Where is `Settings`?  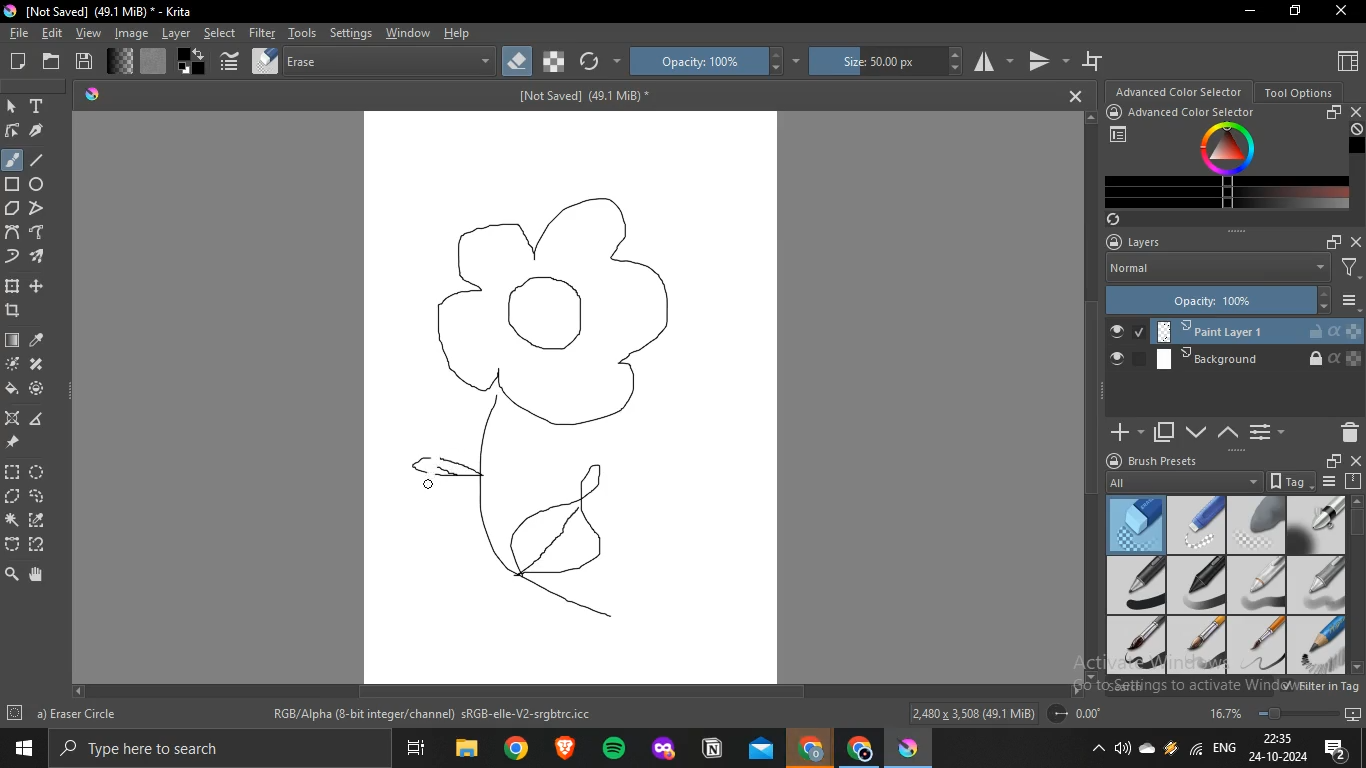 Settings is located at coordinates (15, 714).